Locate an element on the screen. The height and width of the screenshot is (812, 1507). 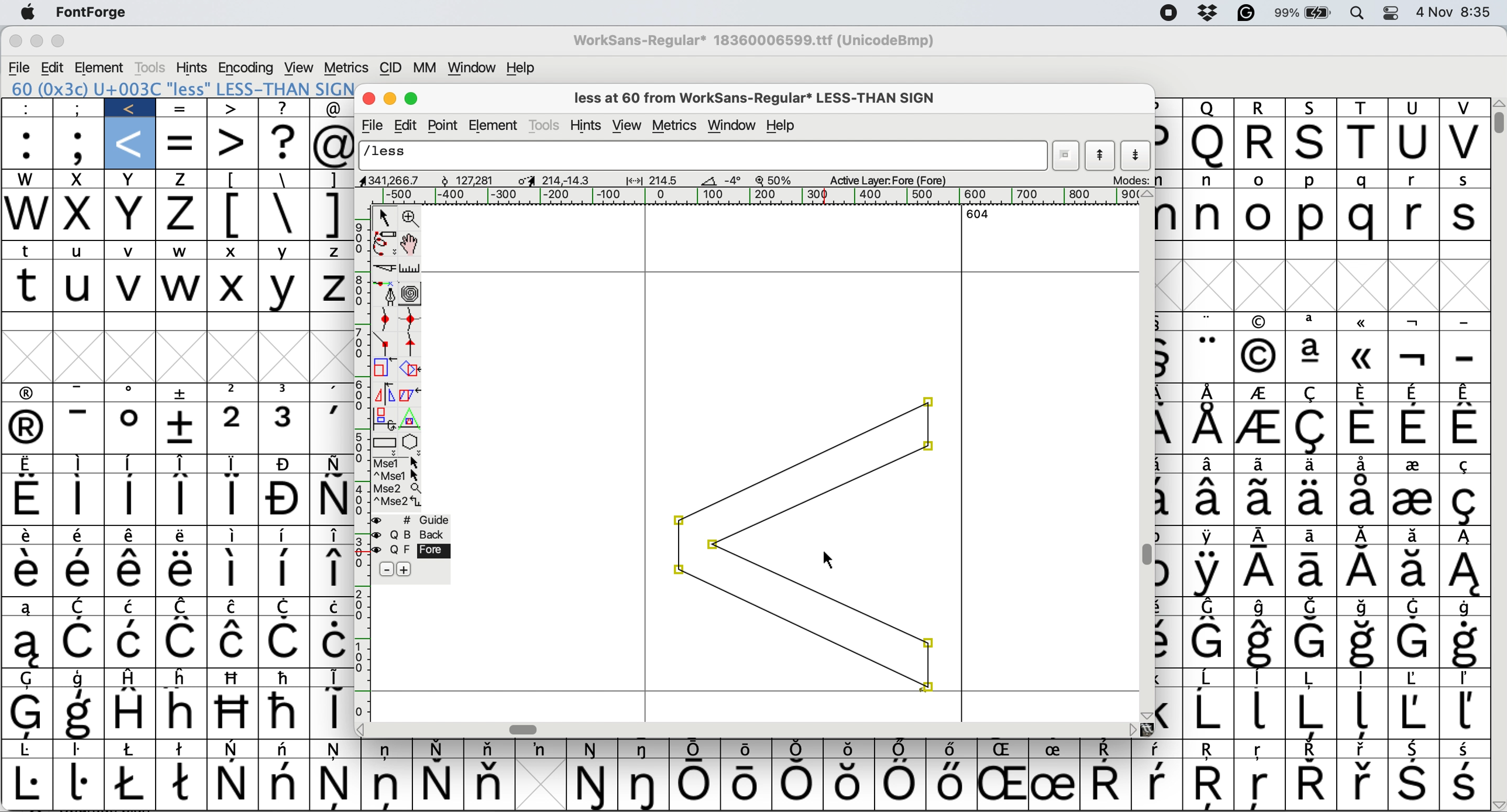
Symbol is located at coordinates (233, 498).